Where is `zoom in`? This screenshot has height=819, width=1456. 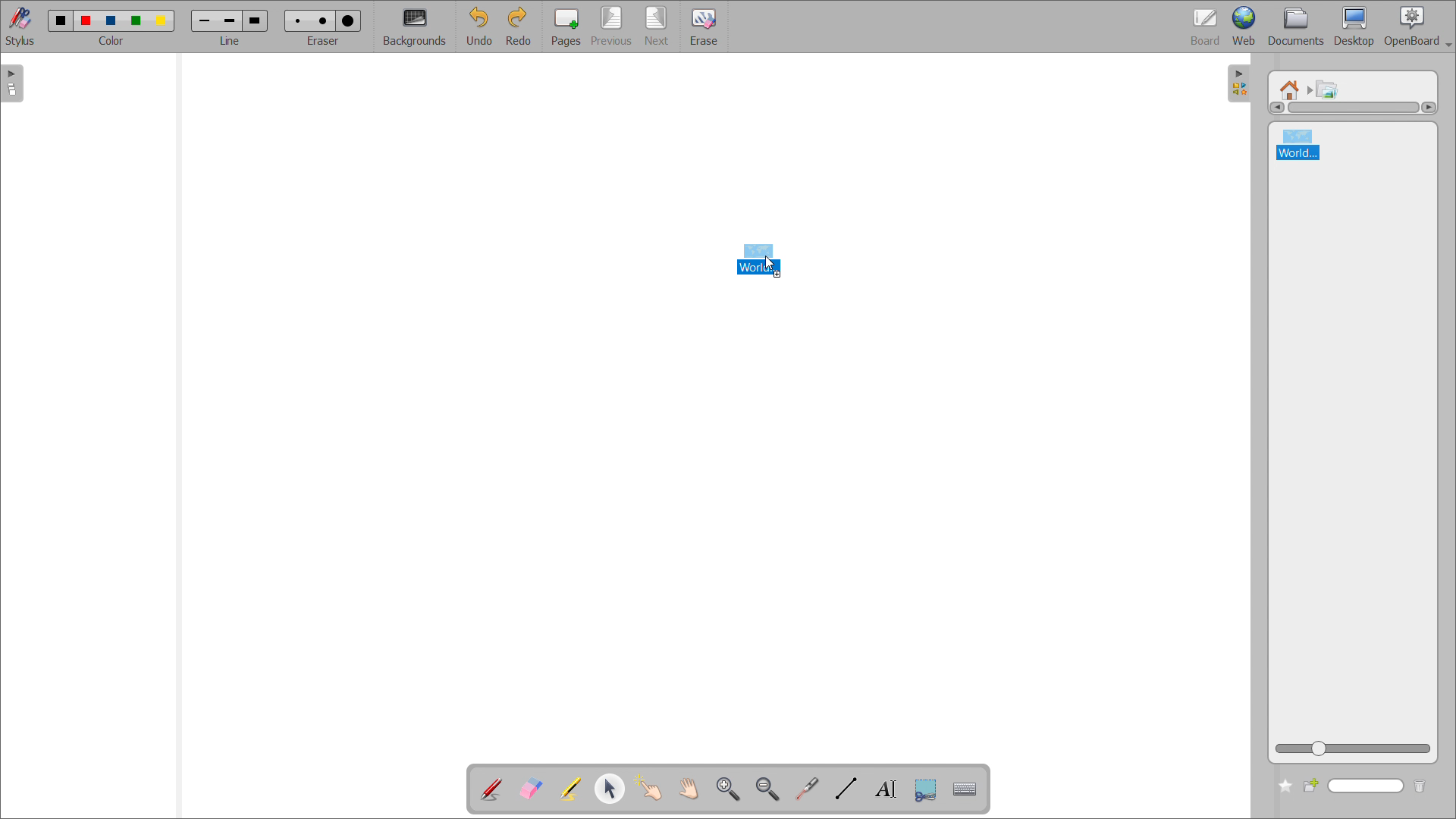 zoom in is located at coordinates (730, 789).